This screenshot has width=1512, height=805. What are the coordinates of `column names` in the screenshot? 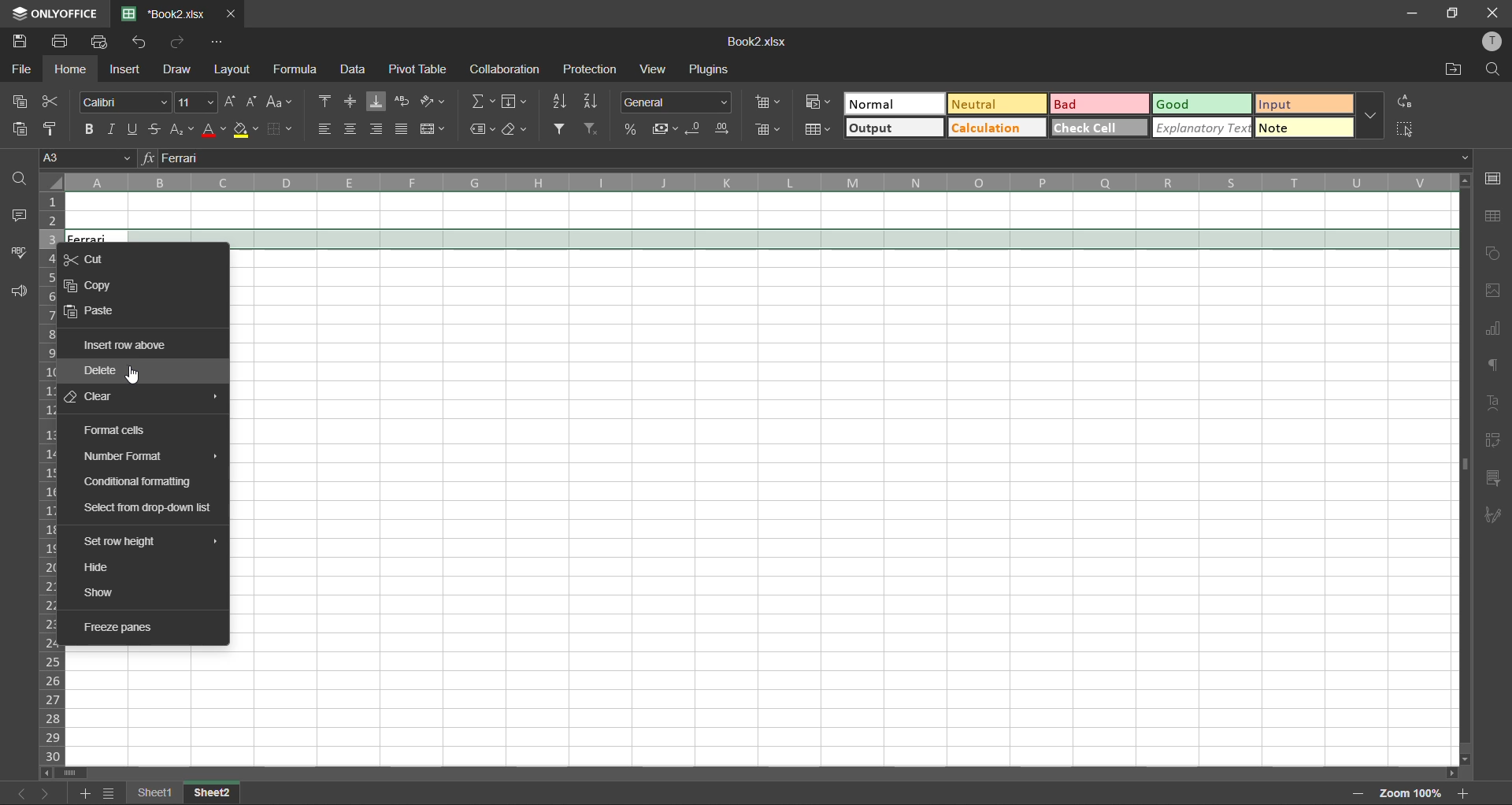 It's located at (761, 182).